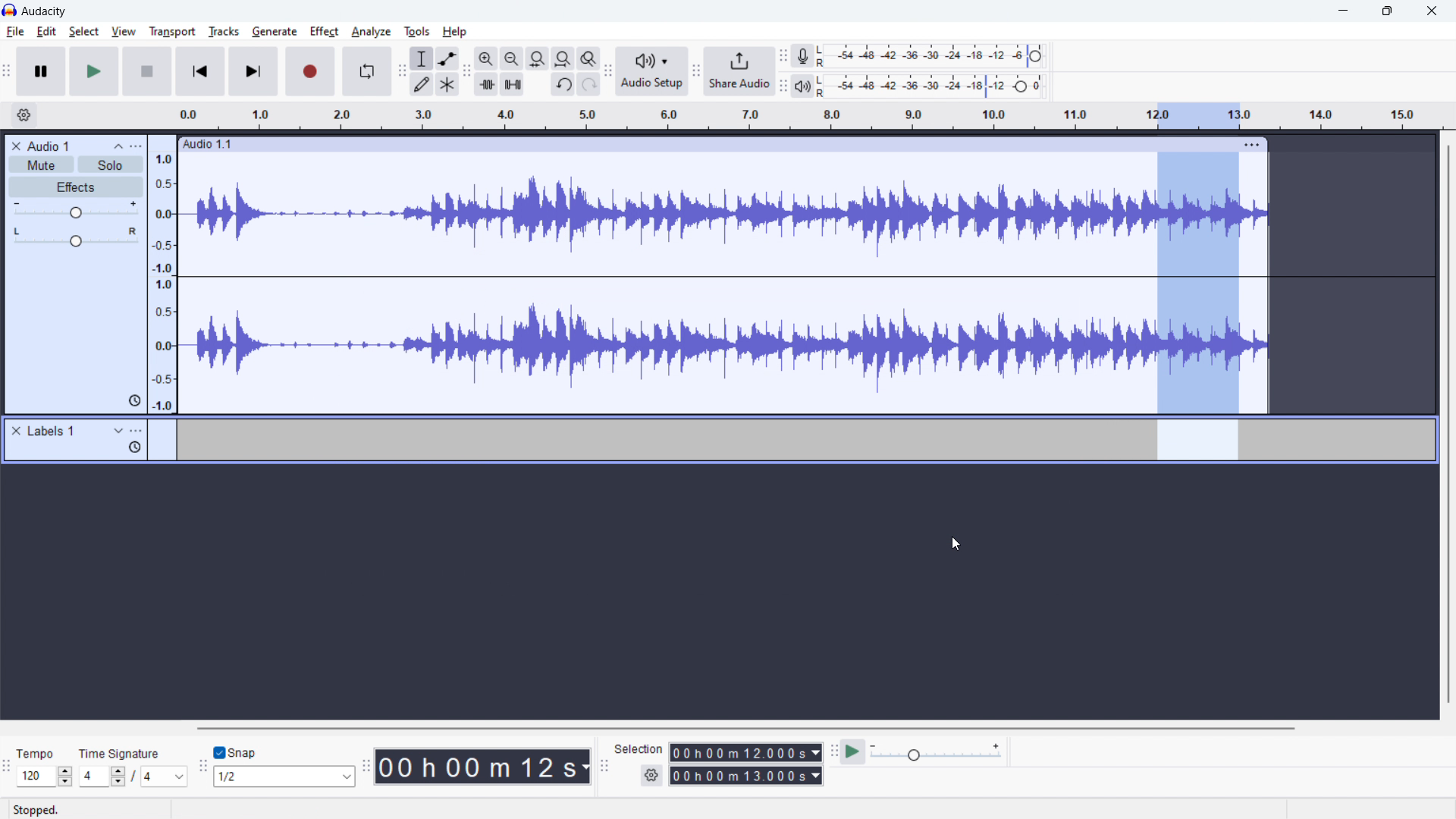 Image resolution: width=1456 pixels, height=819 pixels. I want to click on share audio toolbar, so click(696, 73).